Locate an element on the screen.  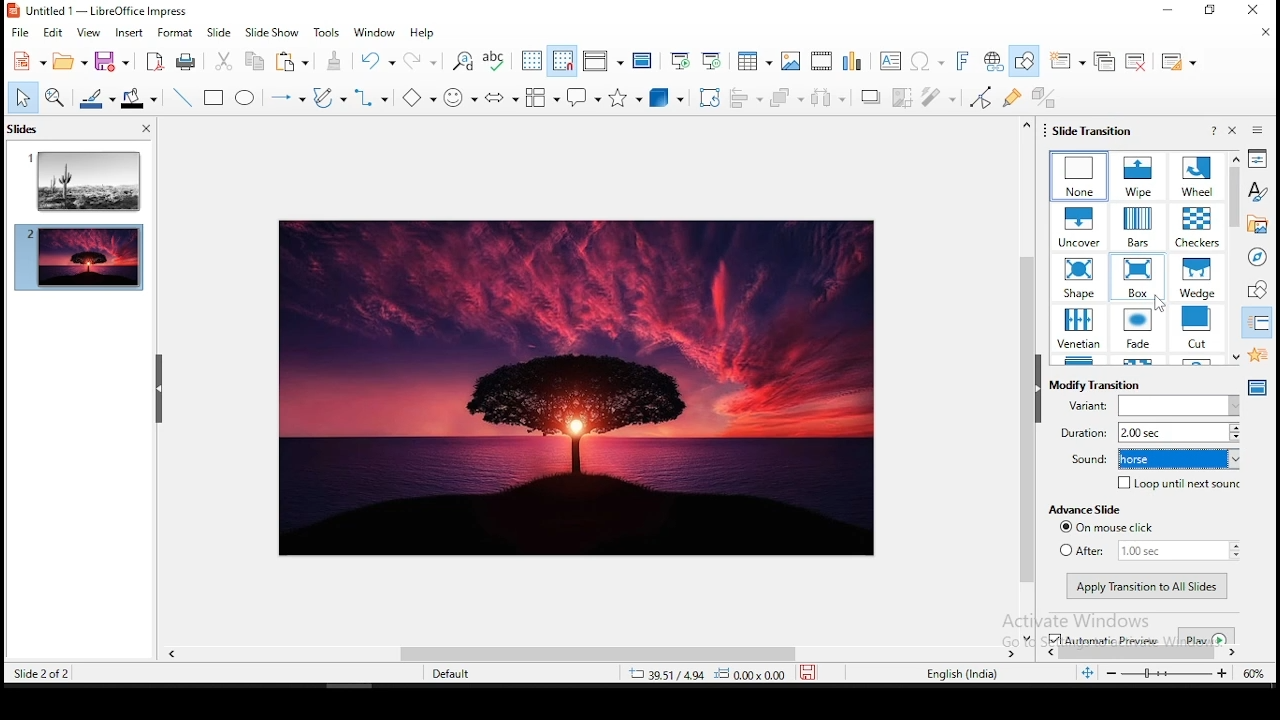
hyperlink is located at coordinates (995, 60).